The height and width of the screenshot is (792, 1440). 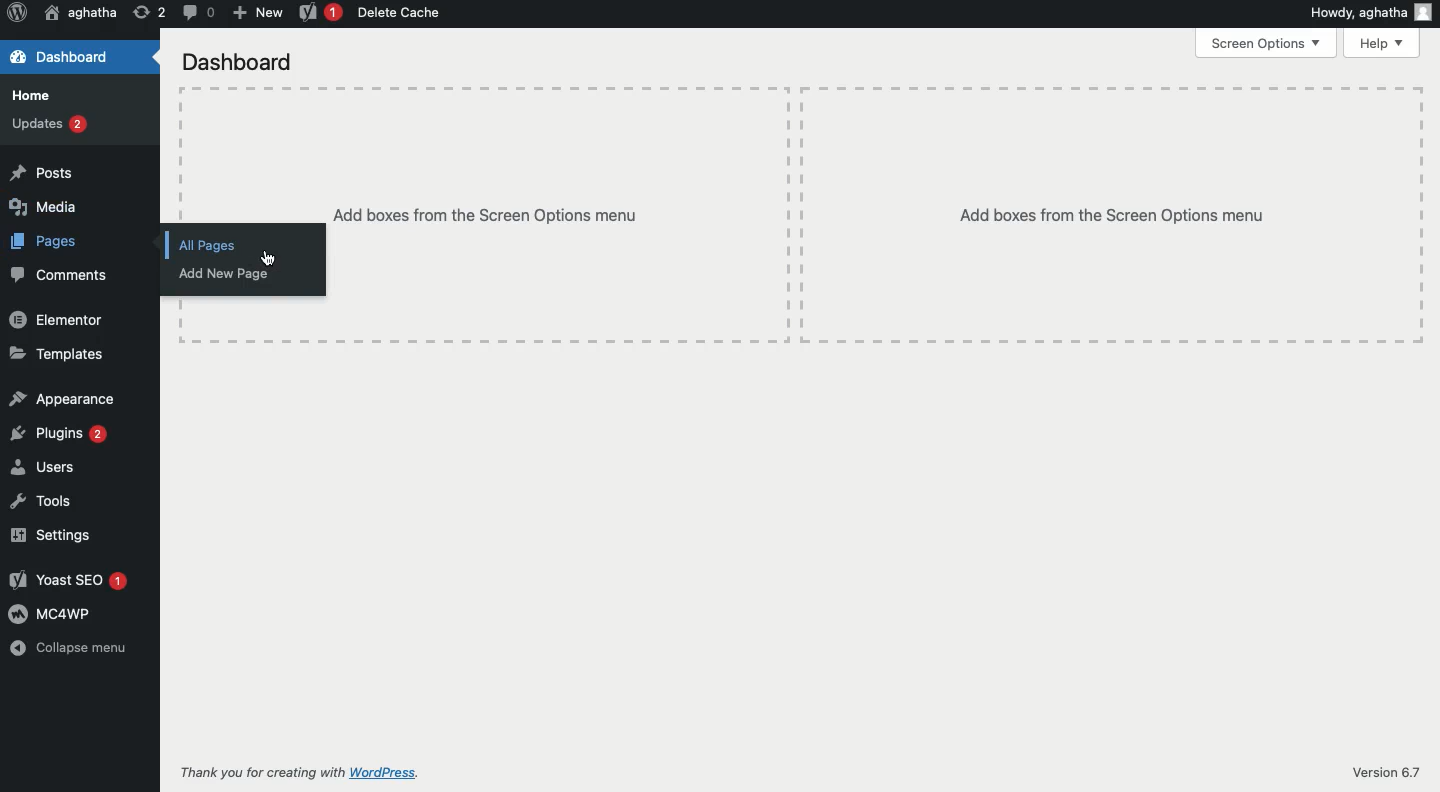 What do you see at coordinates (48, 613) in the screenshot?
I see `MC4WP` at bounding box center [48, 613].